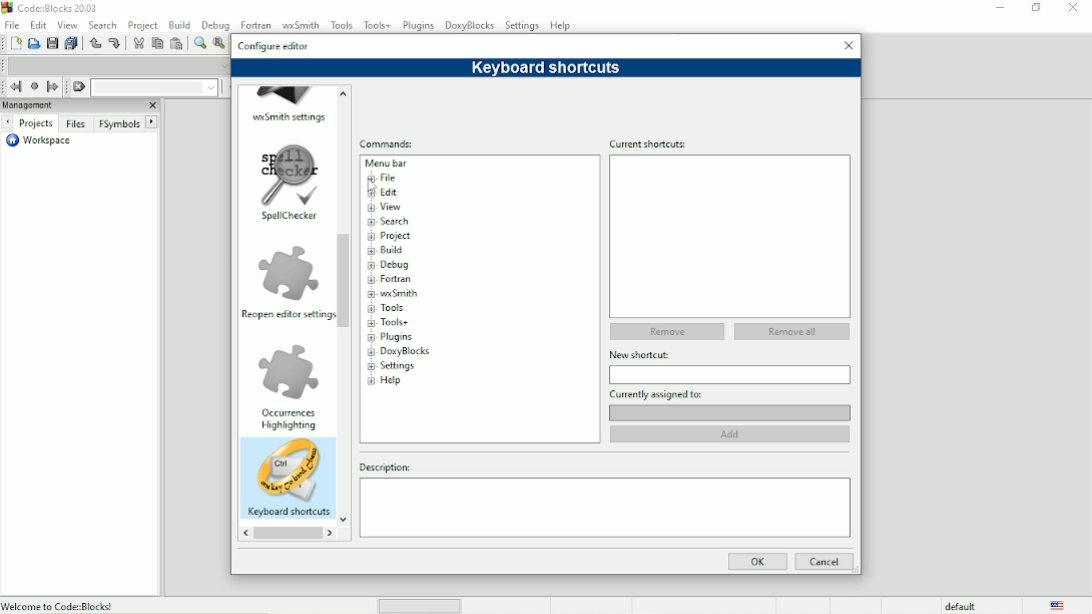  I want to click on wxSmith, so click(405, 294).